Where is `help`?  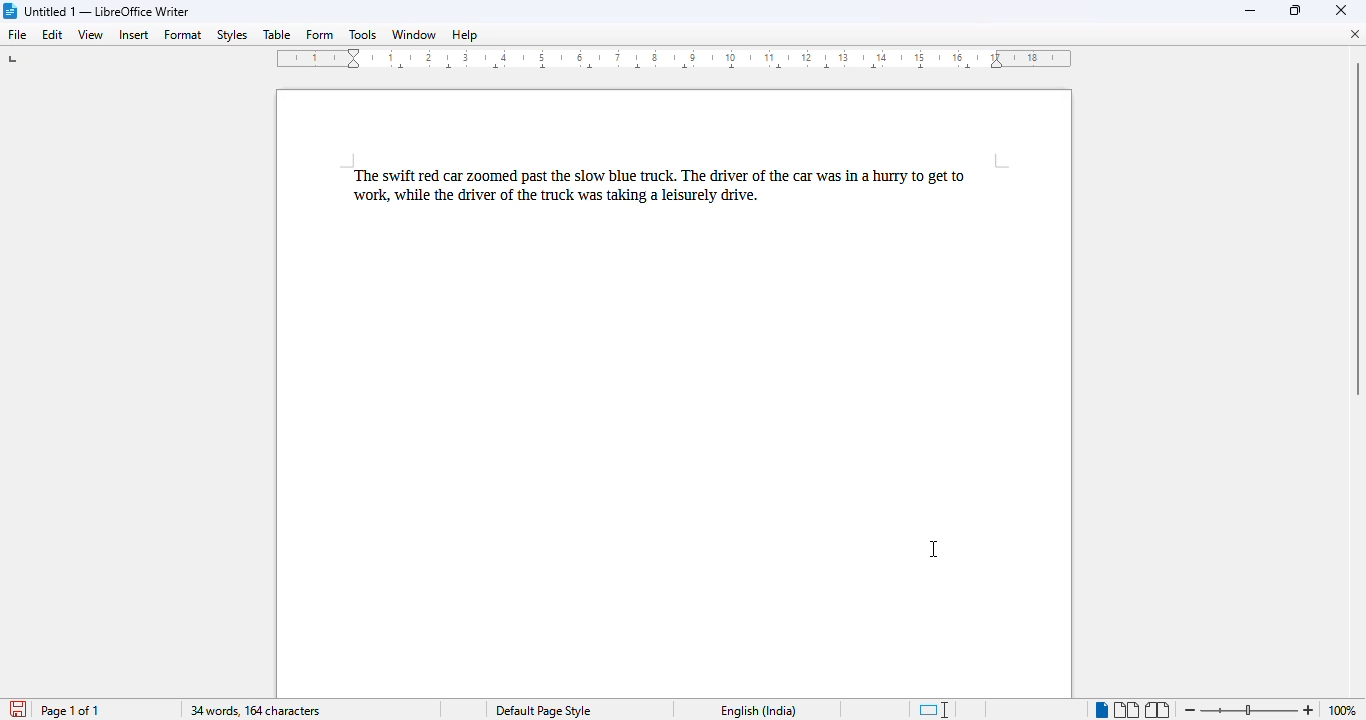 help is located at coordinates (464, 35).